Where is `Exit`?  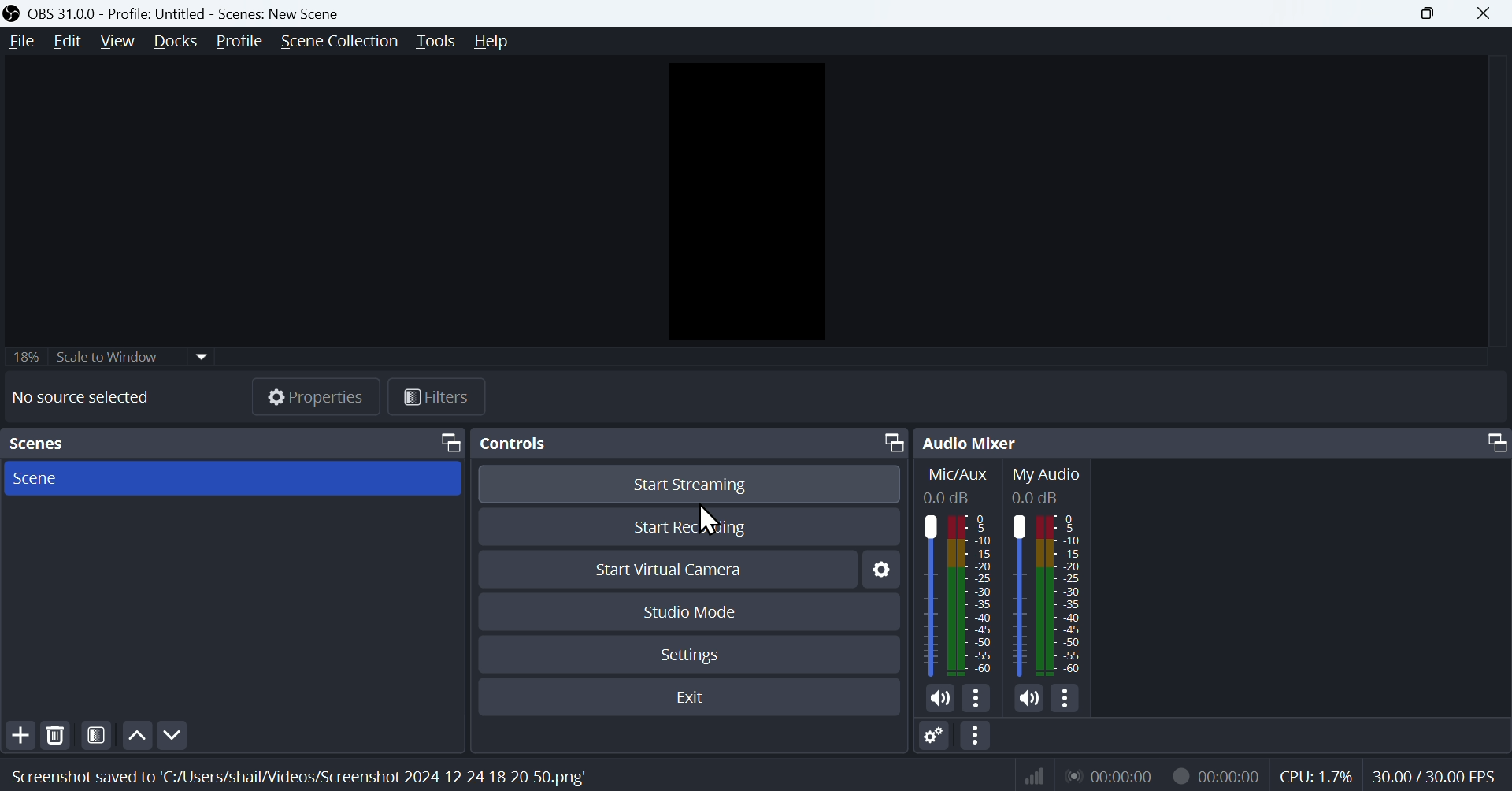 Exit is located at coordinates (690, 695).